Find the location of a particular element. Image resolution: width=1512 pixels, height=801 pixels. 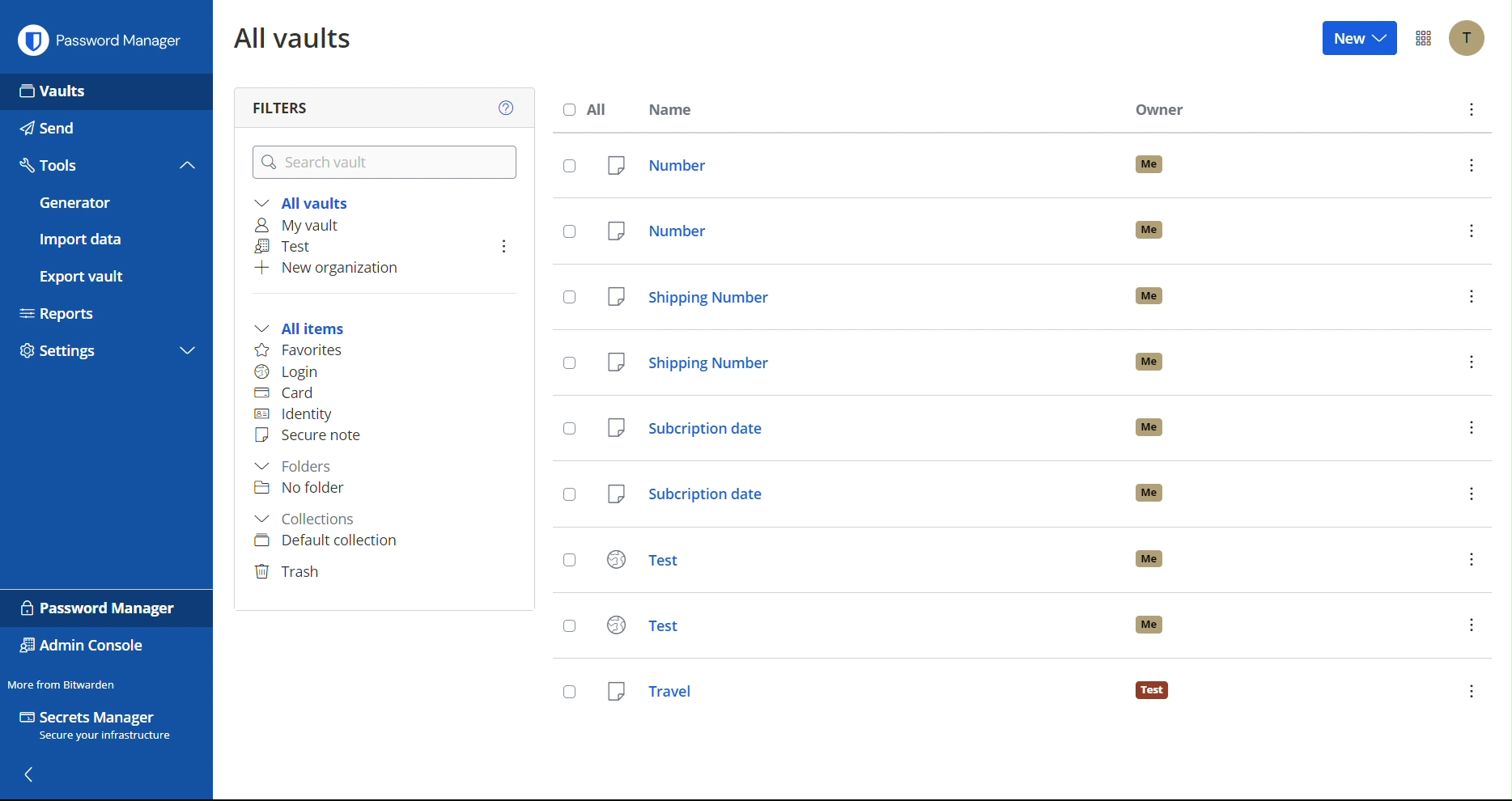

options is located at coordinates (504, 246).